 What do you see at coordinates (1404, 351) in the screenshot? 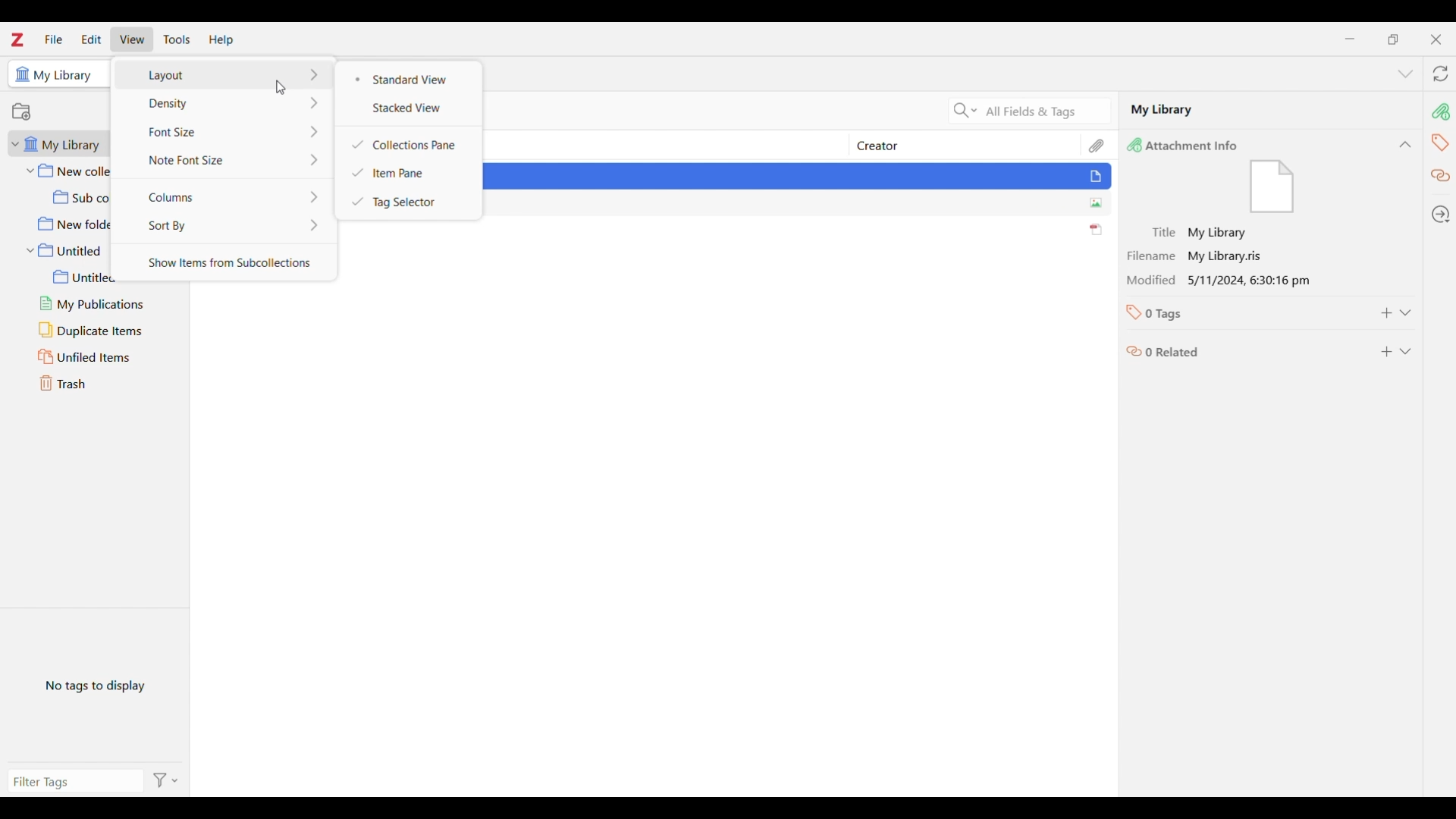
I see `Expand related` at bounding box center [1404, 351].